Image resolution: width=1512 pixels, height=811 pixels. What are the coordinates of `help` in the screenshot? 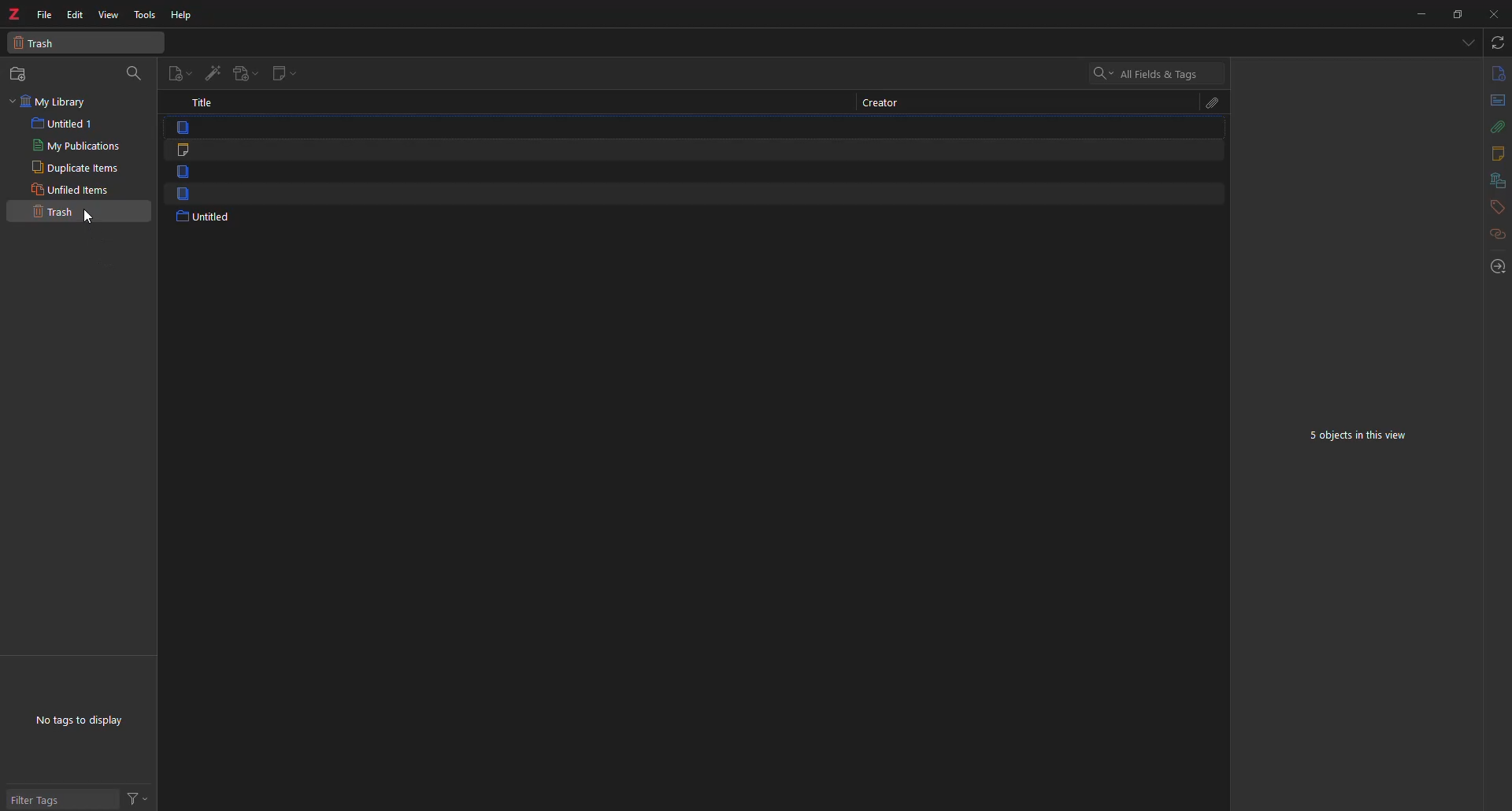 It's located at (182, 16).